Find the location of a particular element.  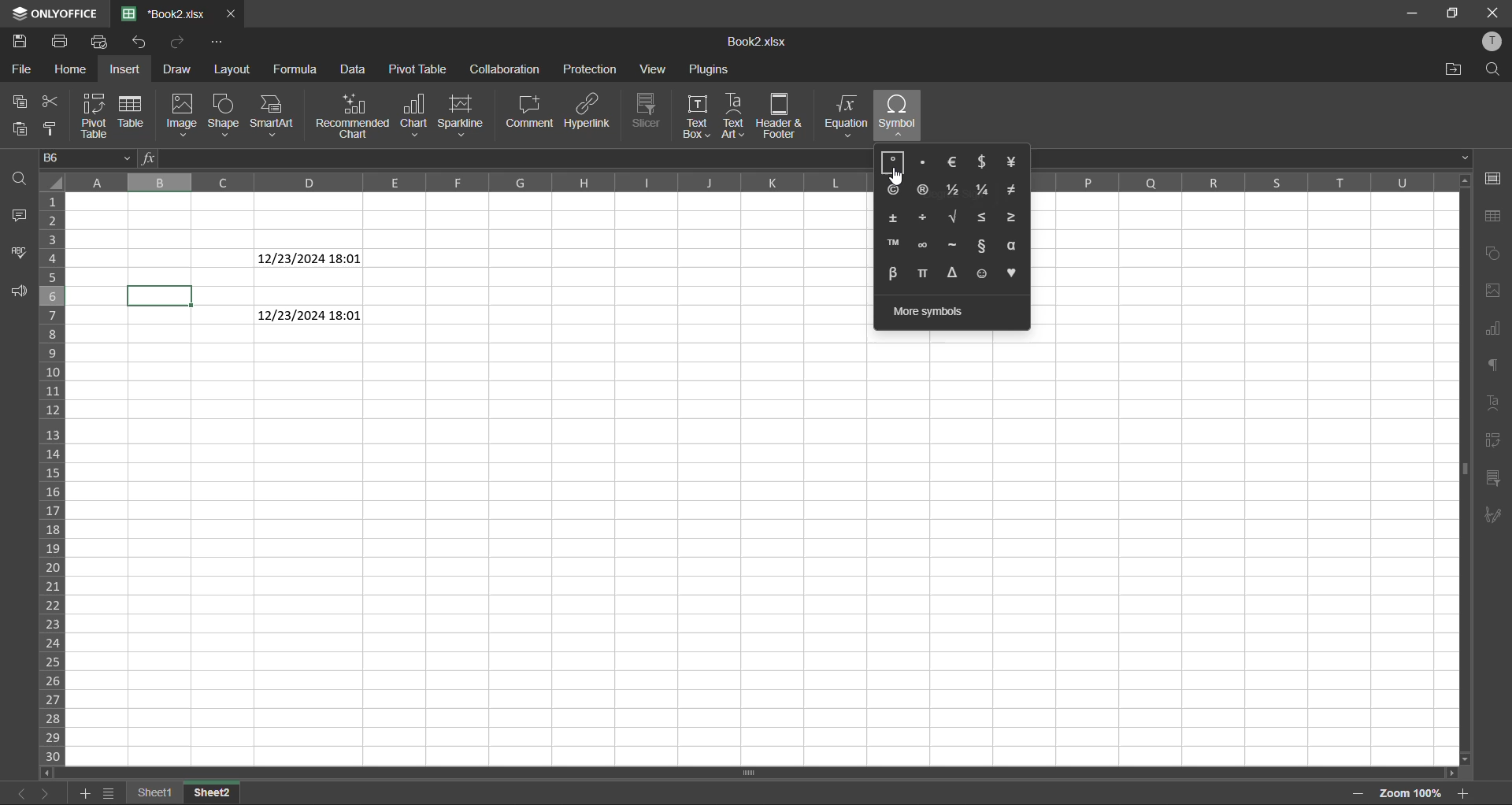

book2.xlsx is located at coordinates (162, 15).